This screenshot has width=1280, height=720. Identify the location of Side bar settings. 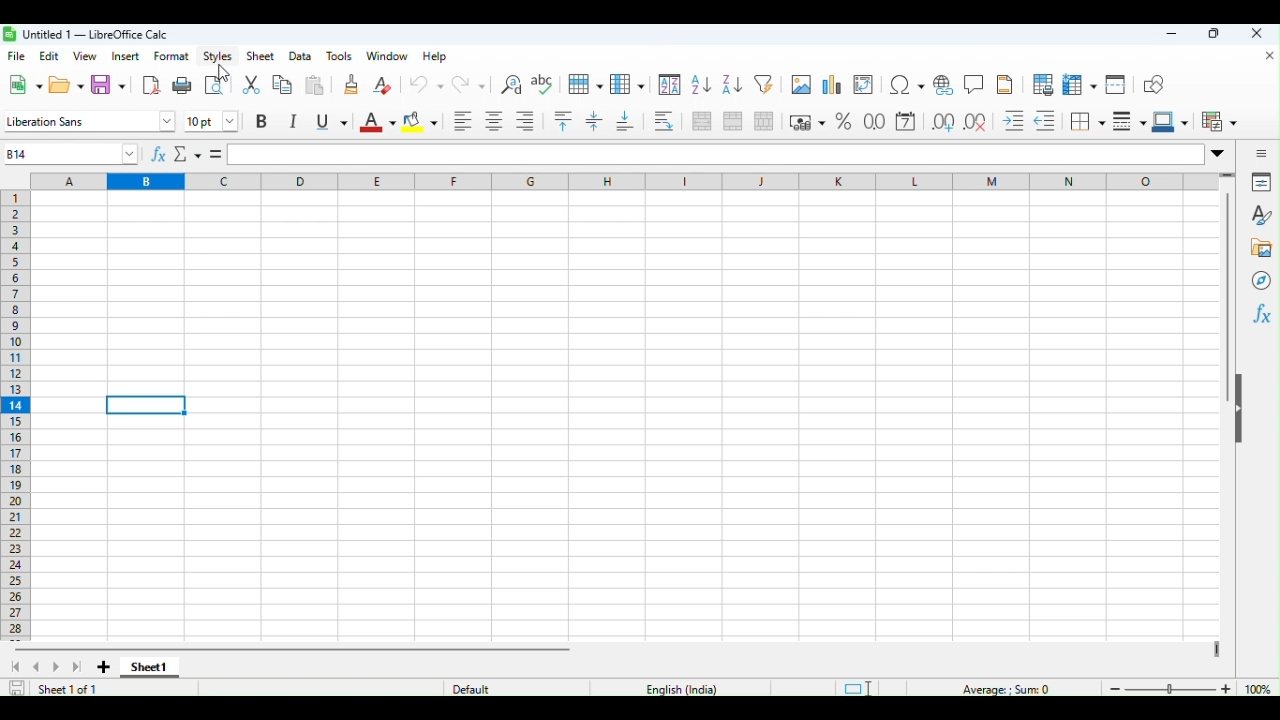
(1262, 152).